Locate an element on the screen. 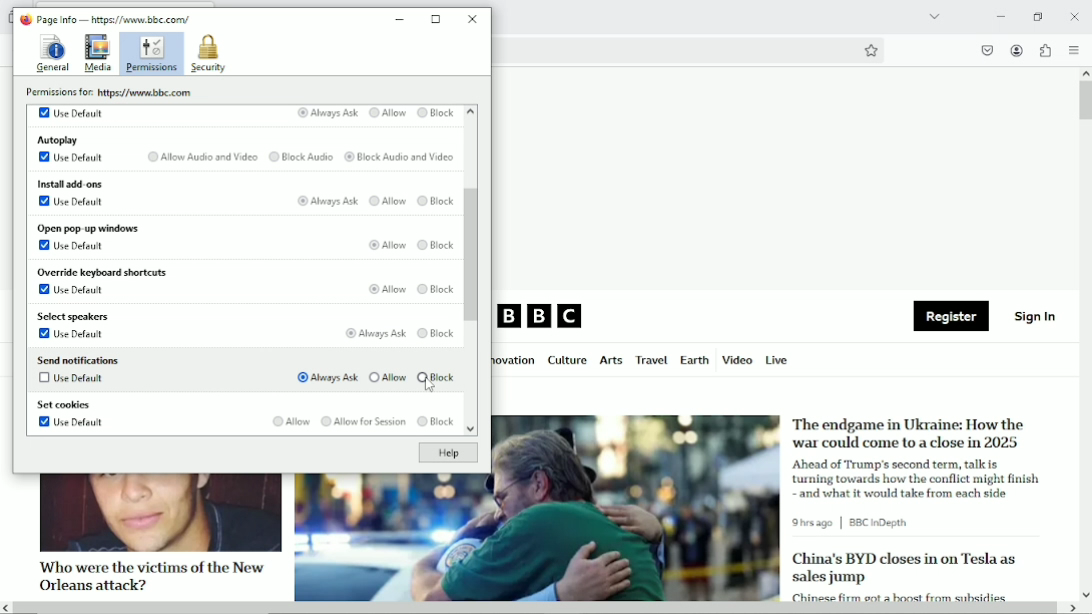  Allow audio and video is located at coordinates (200, 157).